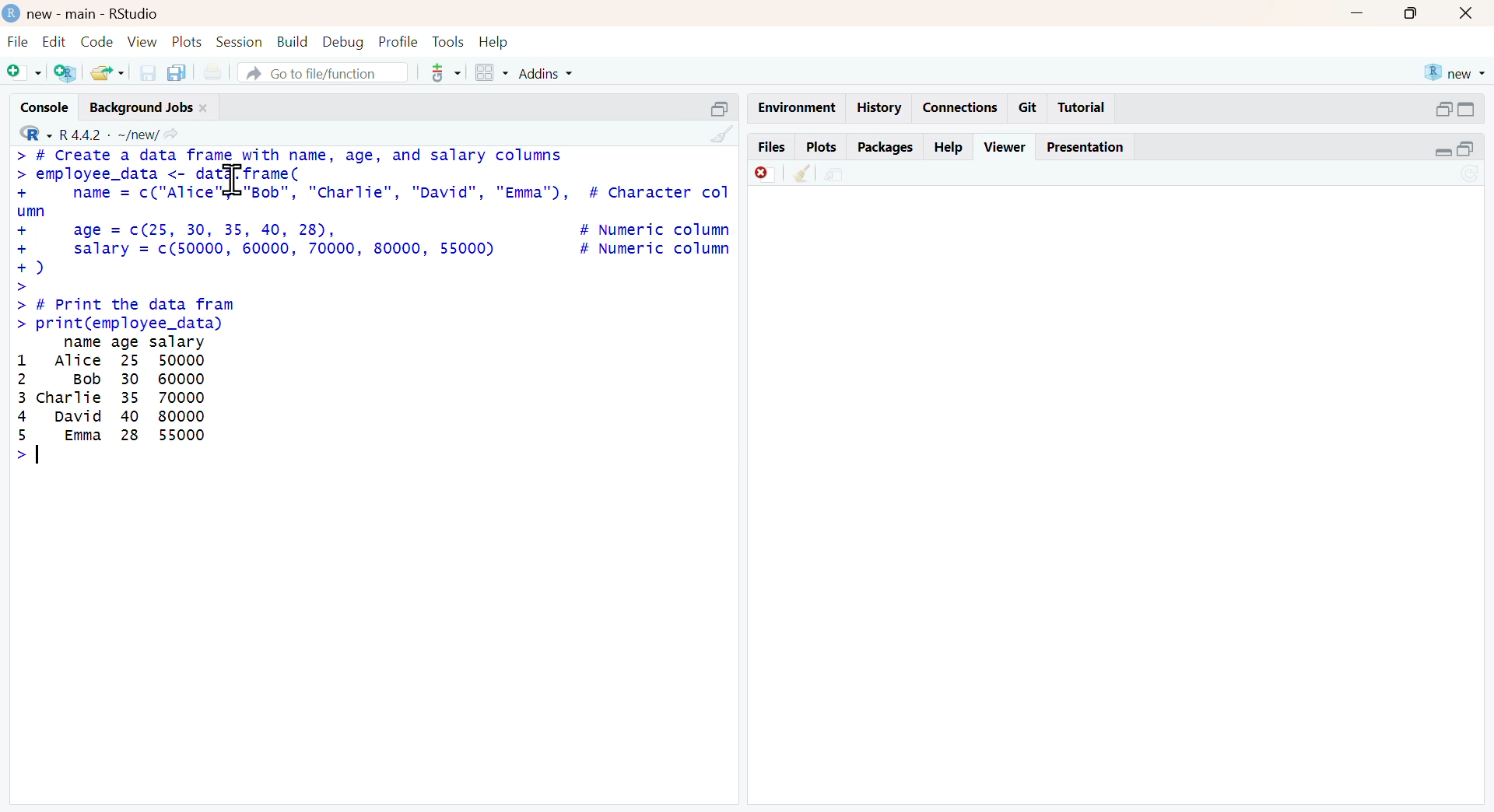  I want to click on minimize, so click(721, 105).